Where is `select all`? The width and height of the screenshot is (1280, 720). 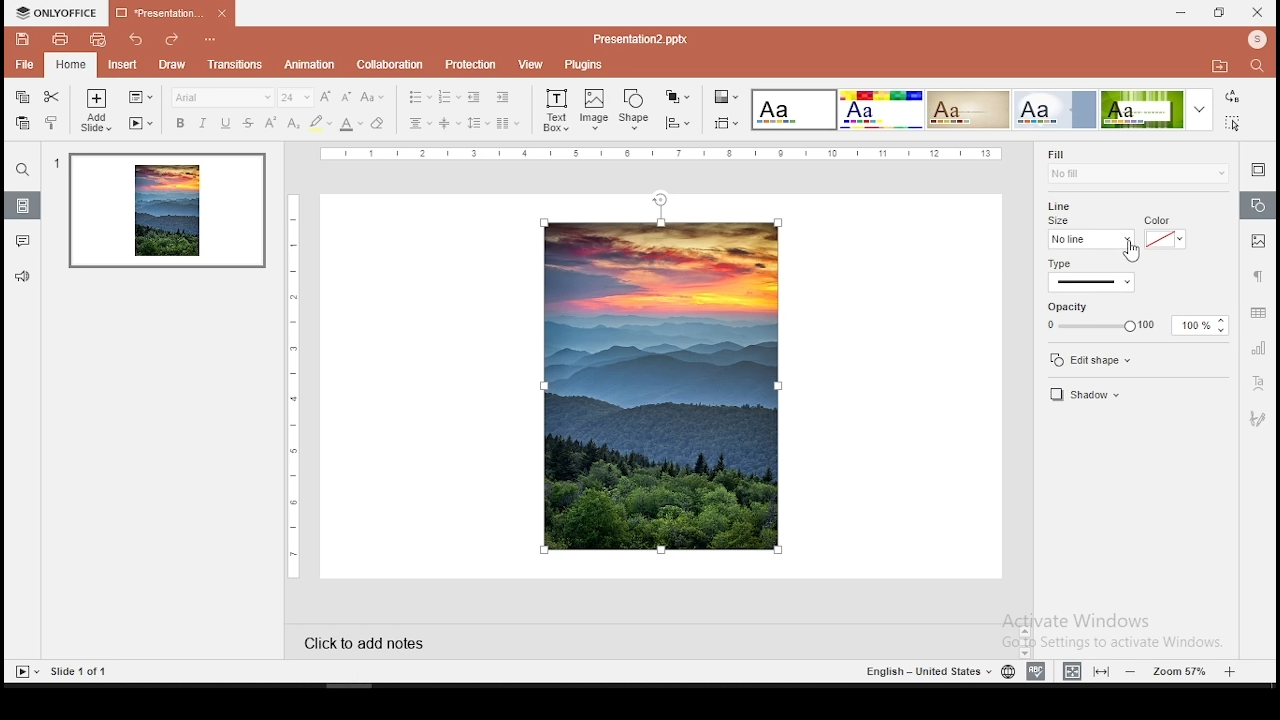
select all is located at coordinates (1232, 123).